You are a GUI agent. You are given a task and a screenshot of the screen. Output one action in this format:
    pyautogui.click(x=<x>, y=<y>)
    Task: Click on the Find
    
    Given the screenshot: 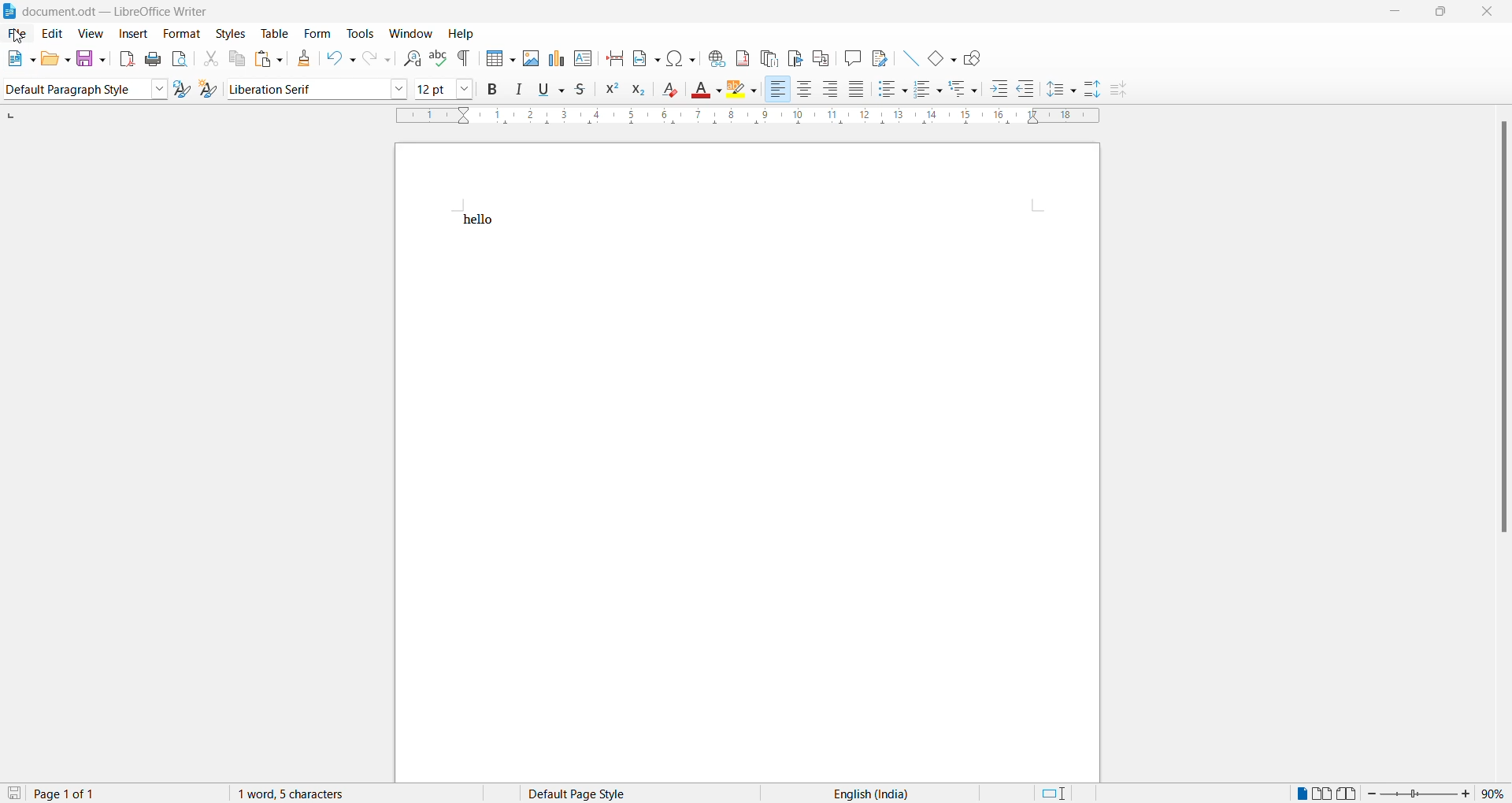 What is the action you would take?
    pyautogui.click(x=408, y=60)
    